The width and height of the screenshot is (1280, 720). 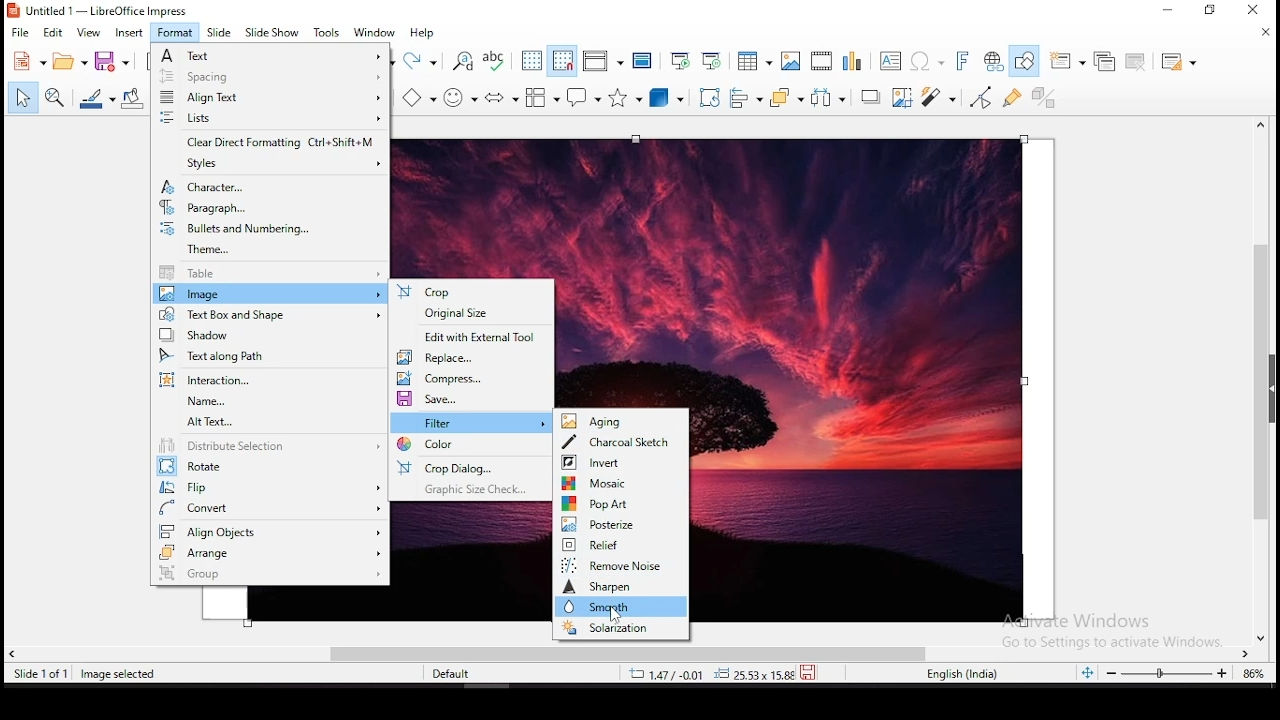 What do you see at coordinates (1253, 11) in the screenshot?
I see `close window` at bounding box center [1253, 11].